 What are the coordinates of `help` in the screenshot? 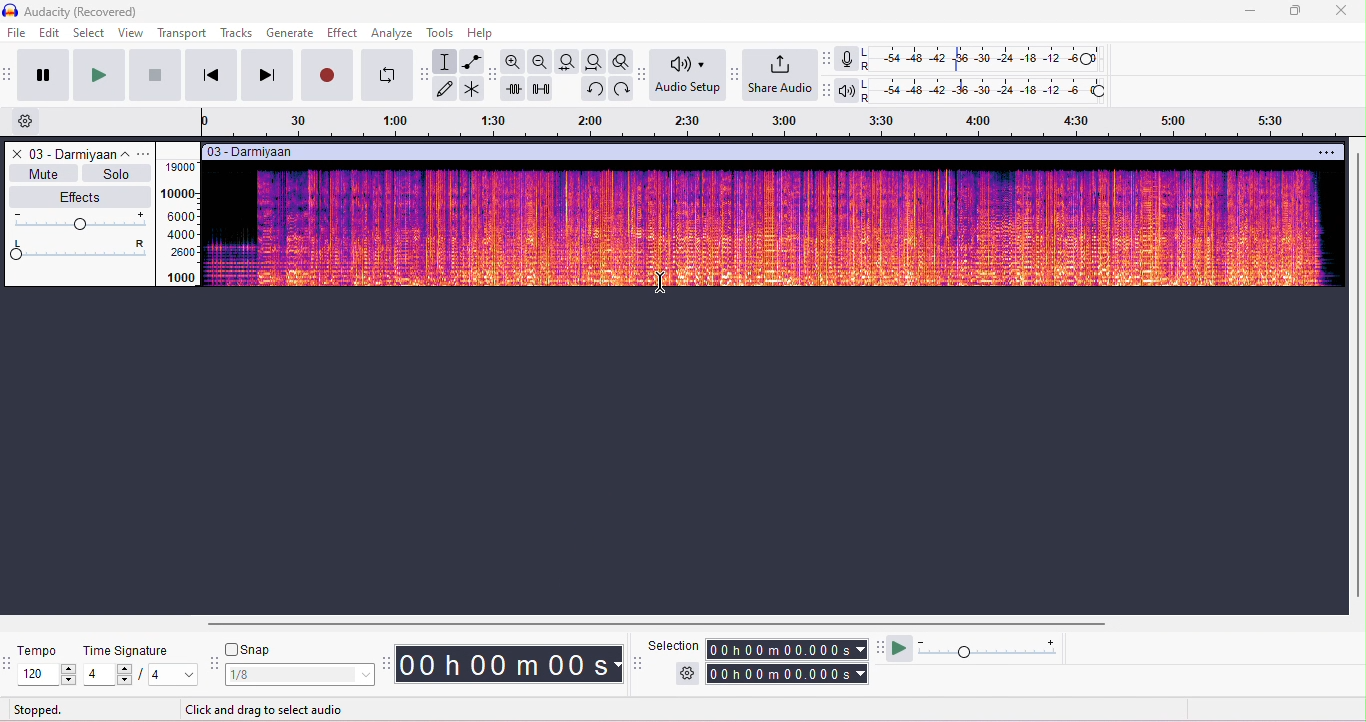 It's located at (482, 34).